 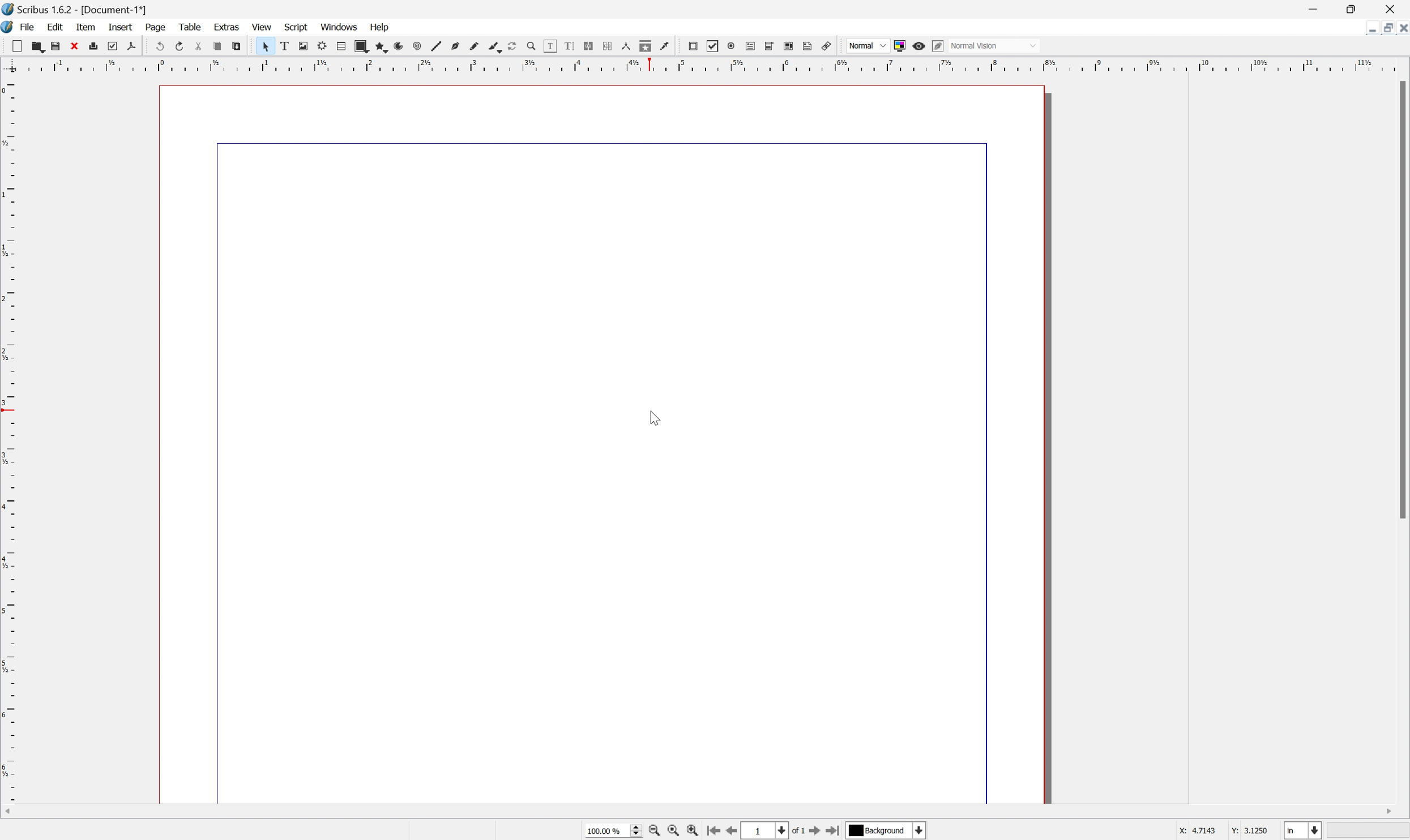 I want to click on save as pdf, so click(x=131, y=47).